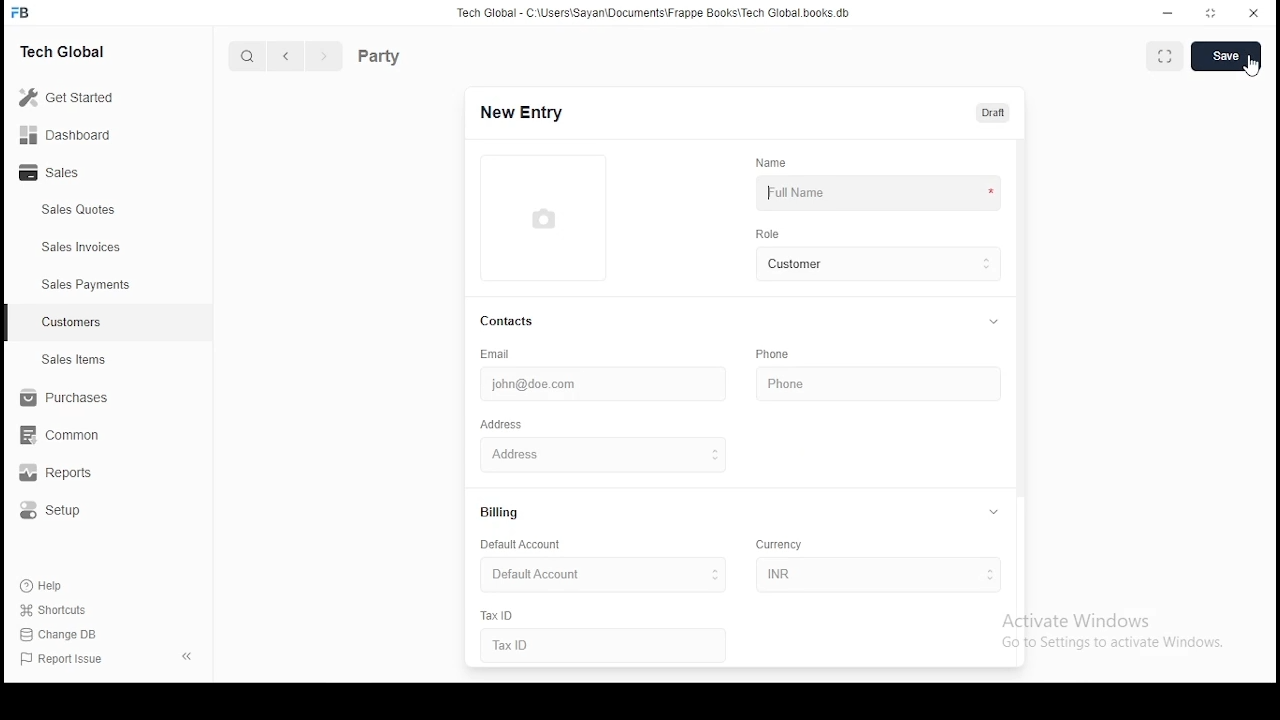  I want to click on logo thumbnail, so click(546, 217).